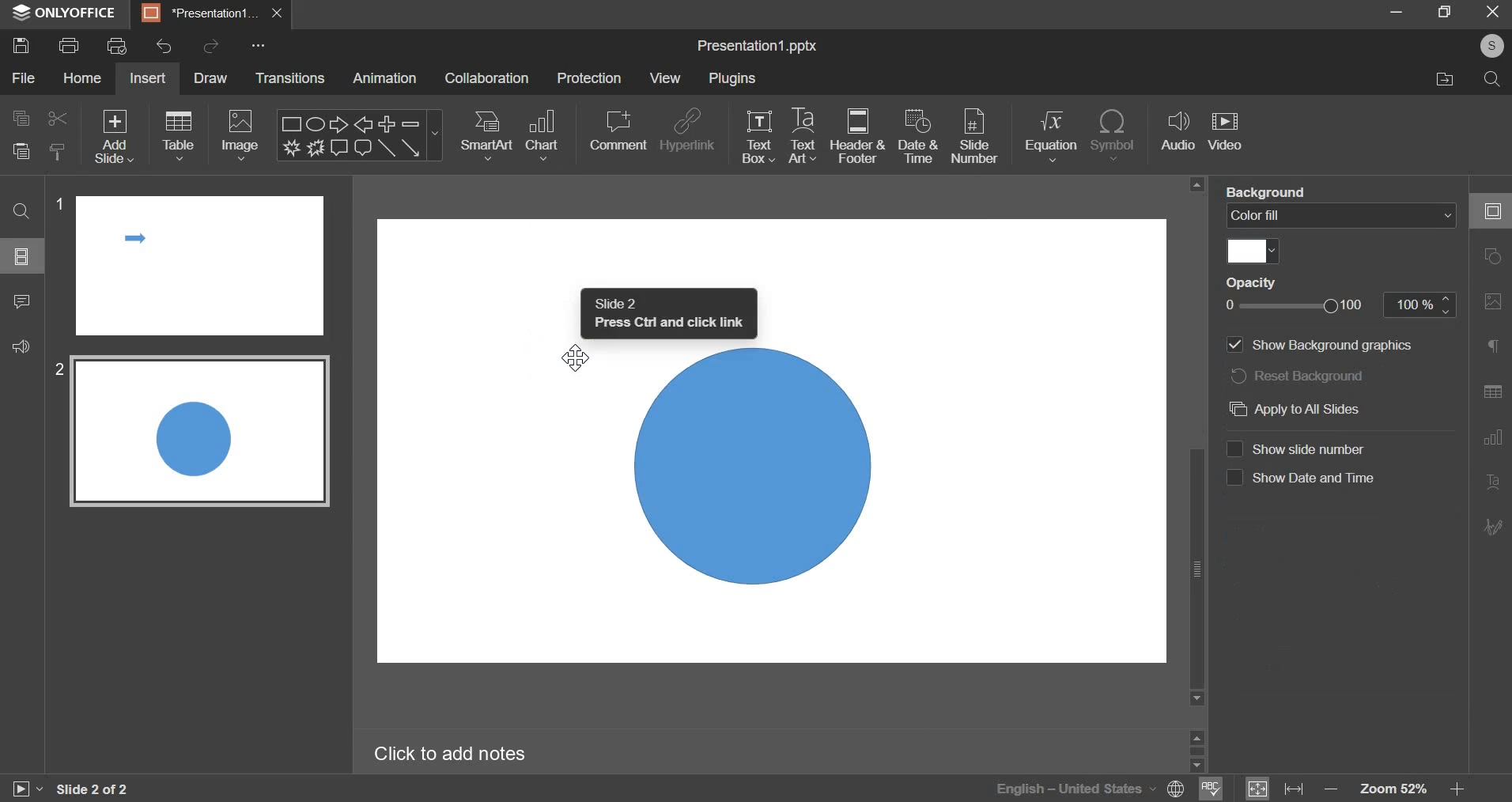 The width and height of the screenshot is (1512, 802). Describe the element at coordinates (1496, 347) in the screenshot. I see `Paragraph settings` at that location.